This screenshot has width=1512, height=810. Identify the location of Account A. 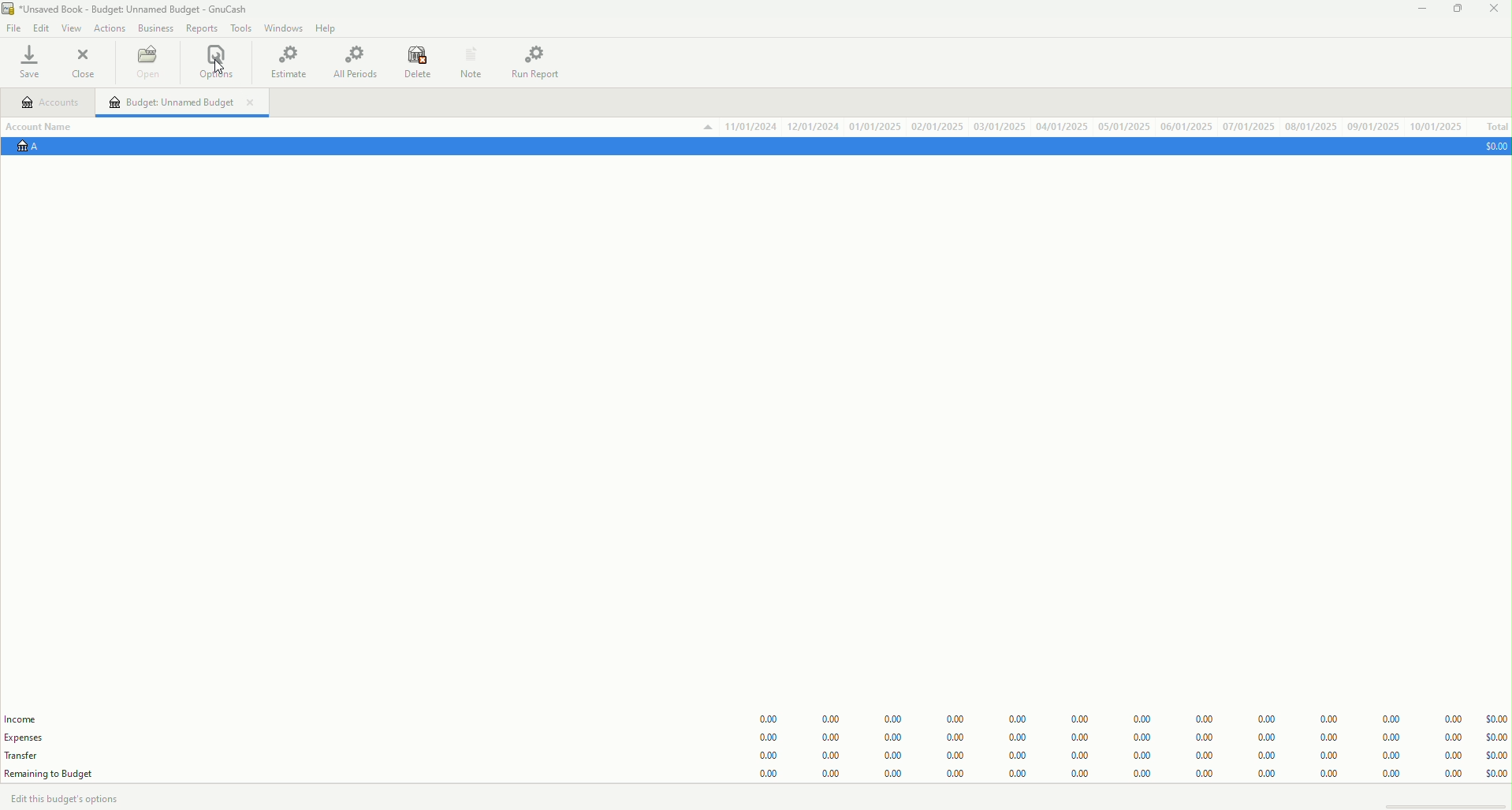
(35, 148).